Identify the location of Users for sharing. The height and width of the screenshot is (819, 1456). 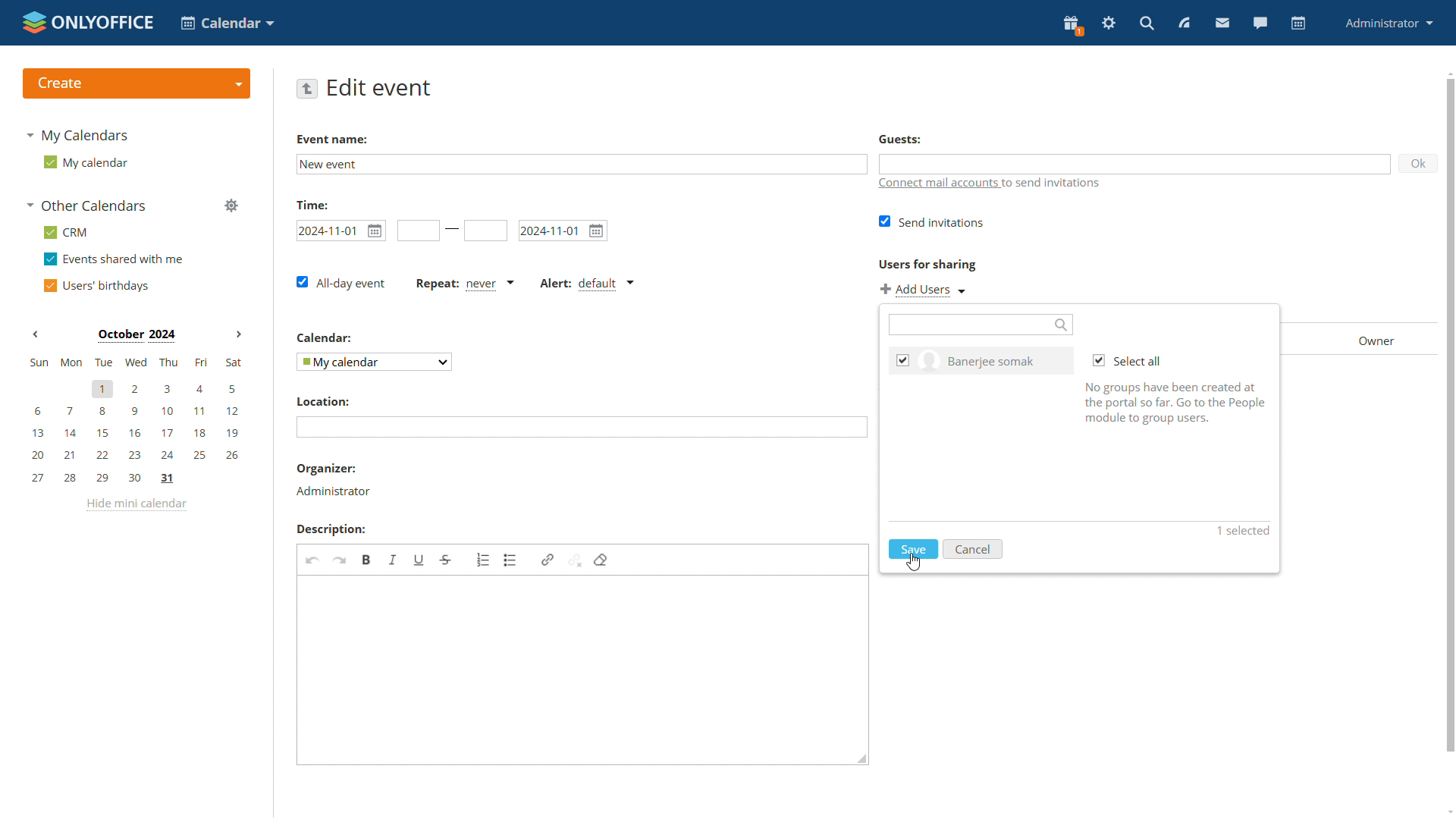
(927, 264).